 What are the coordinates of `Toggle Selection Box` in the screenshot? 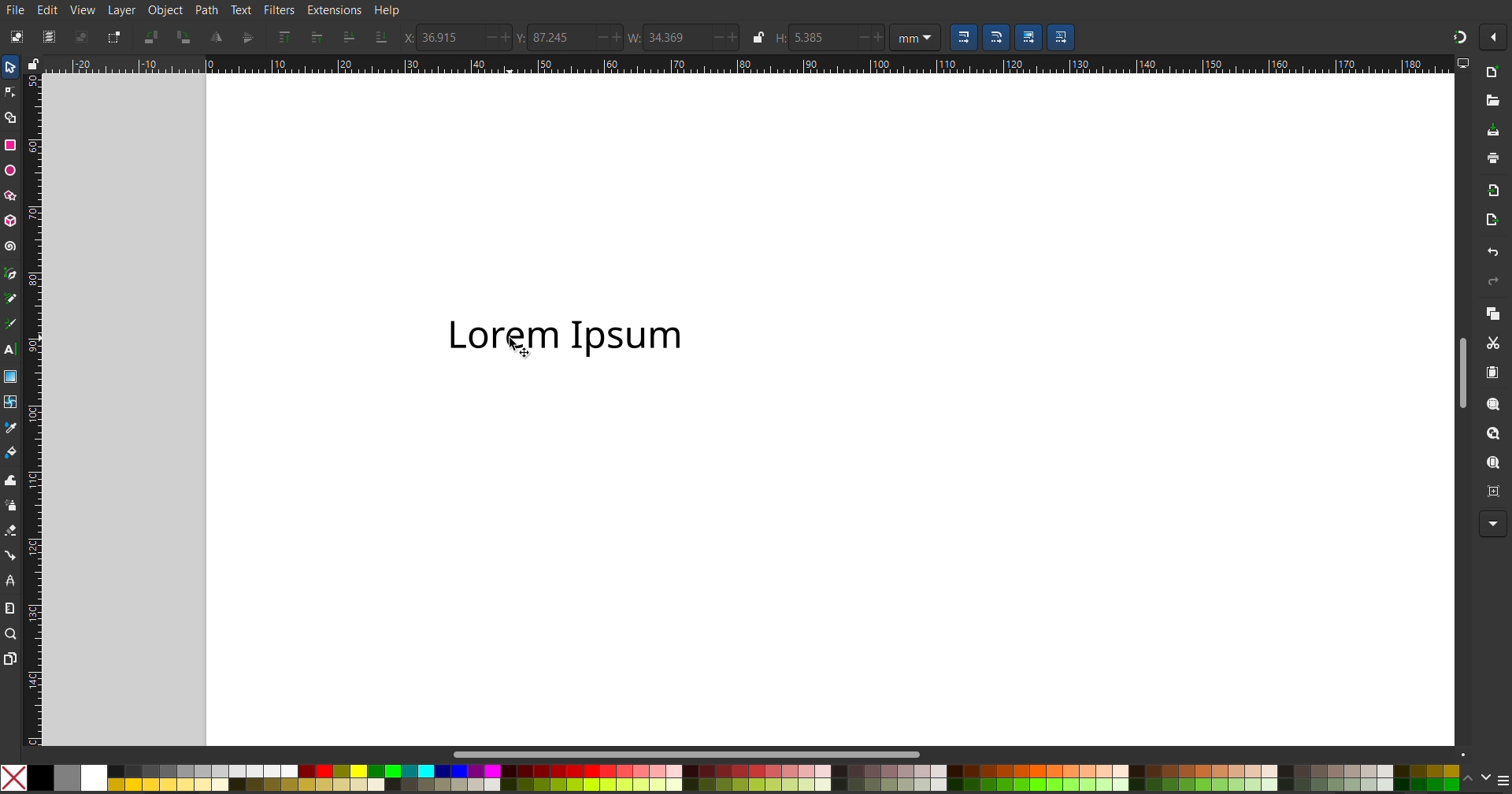 It's located at (117, 37).